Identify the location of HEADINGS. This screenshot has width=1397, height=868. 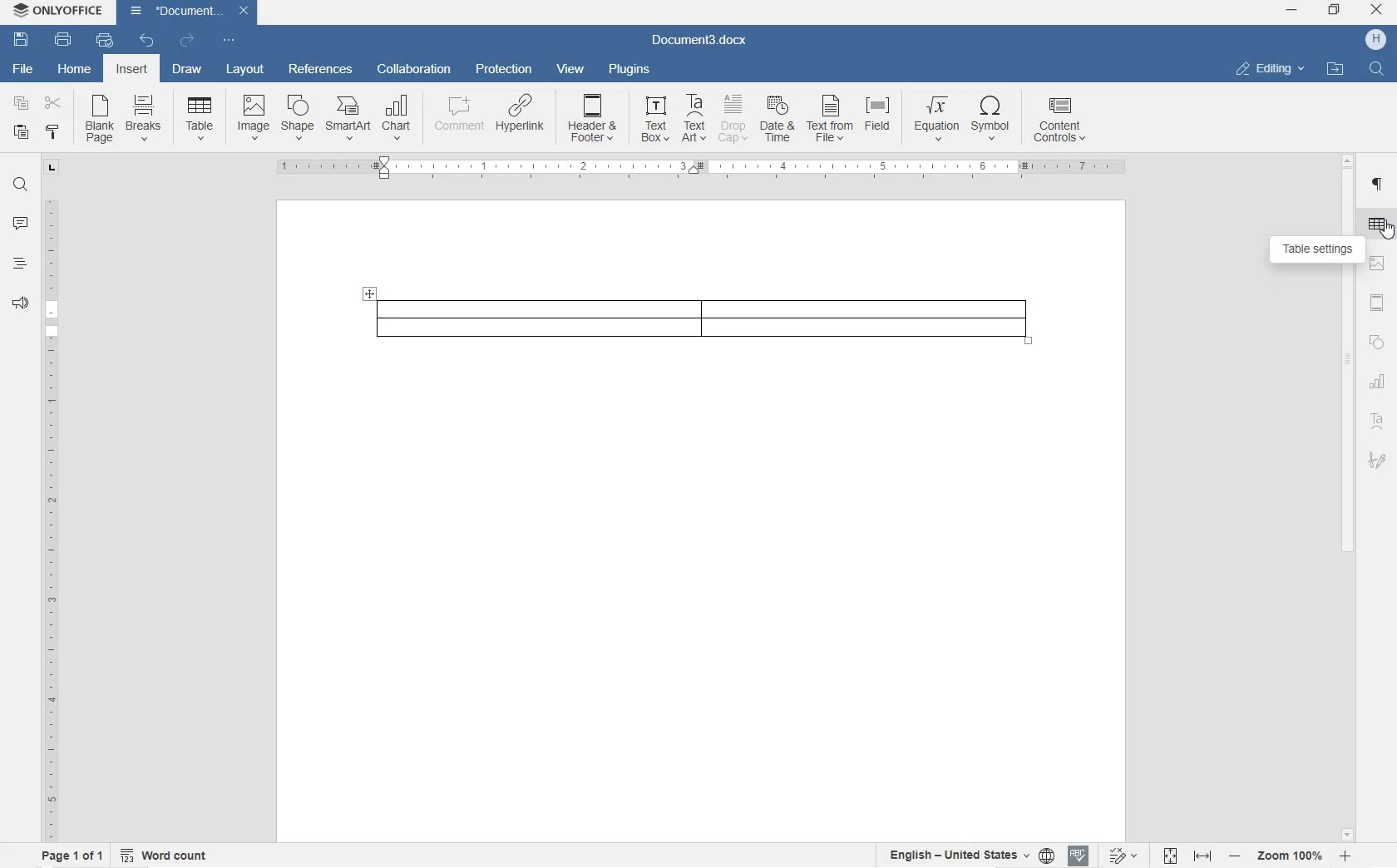
(17, 267).